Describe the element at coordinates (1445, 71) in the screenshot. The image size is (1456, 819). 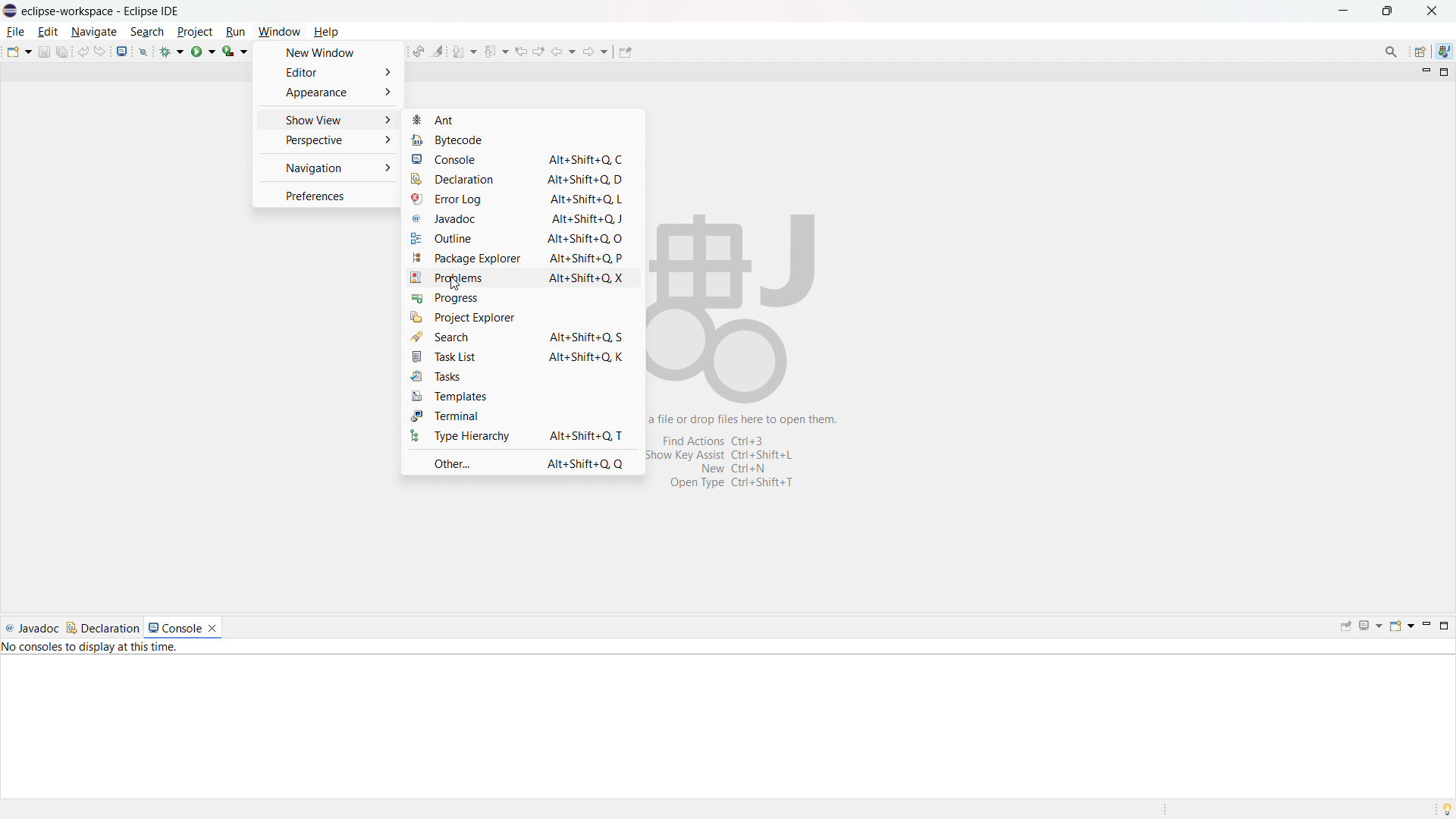
I see `maximize` at that location.